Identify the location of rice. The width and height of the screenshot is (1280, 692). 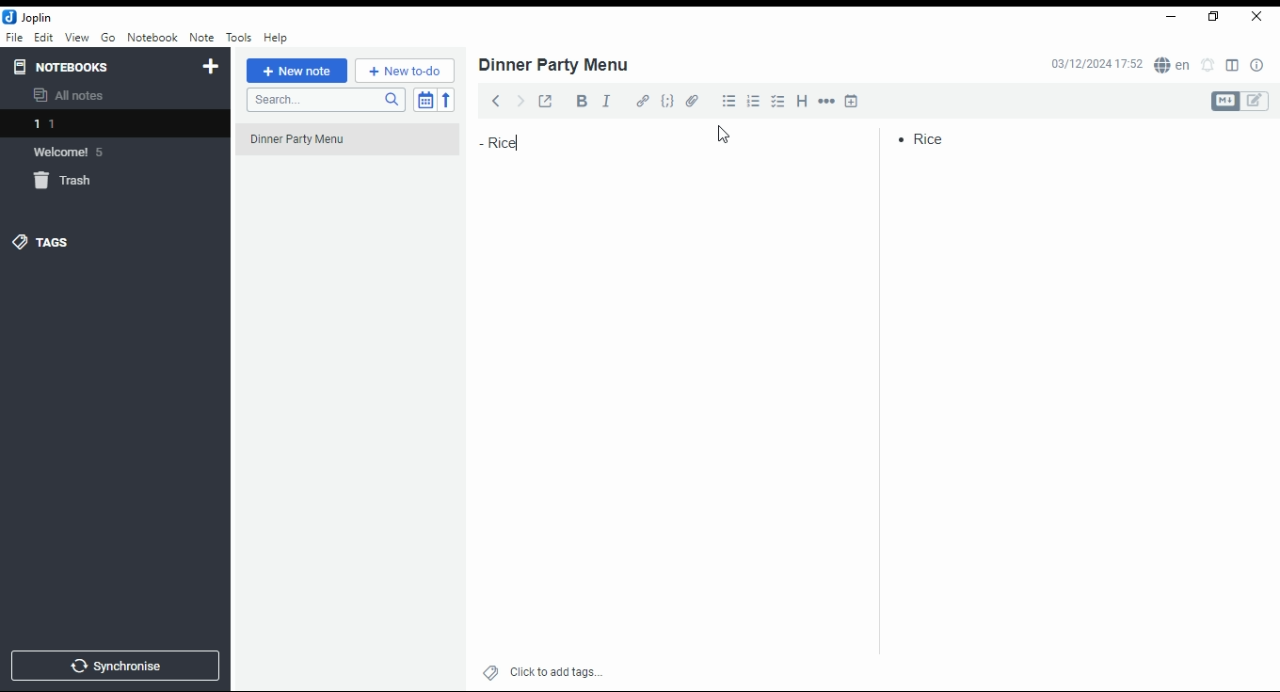
(946, 136).